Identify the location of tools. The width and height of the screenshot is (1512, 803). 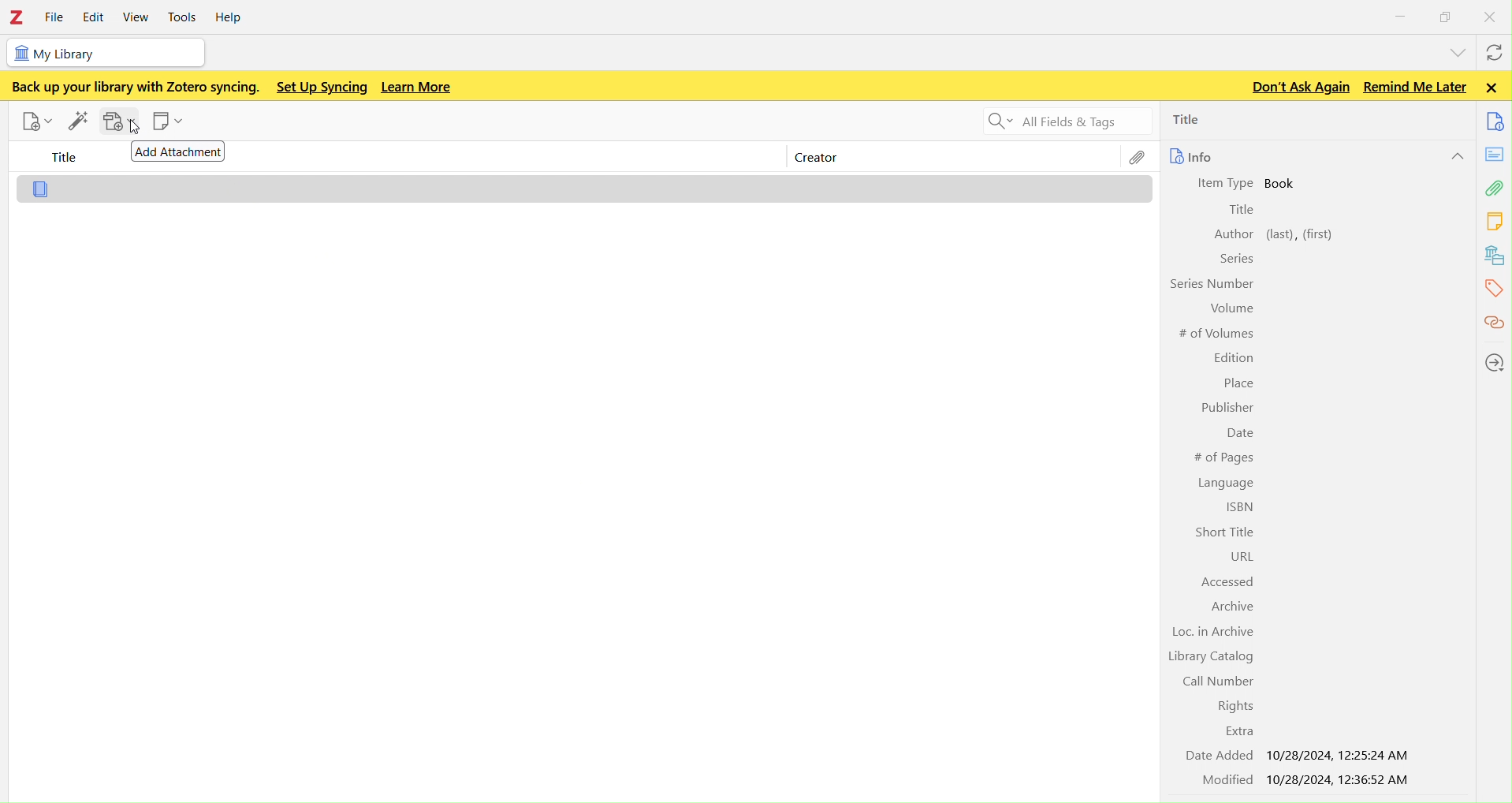
(187, 15).